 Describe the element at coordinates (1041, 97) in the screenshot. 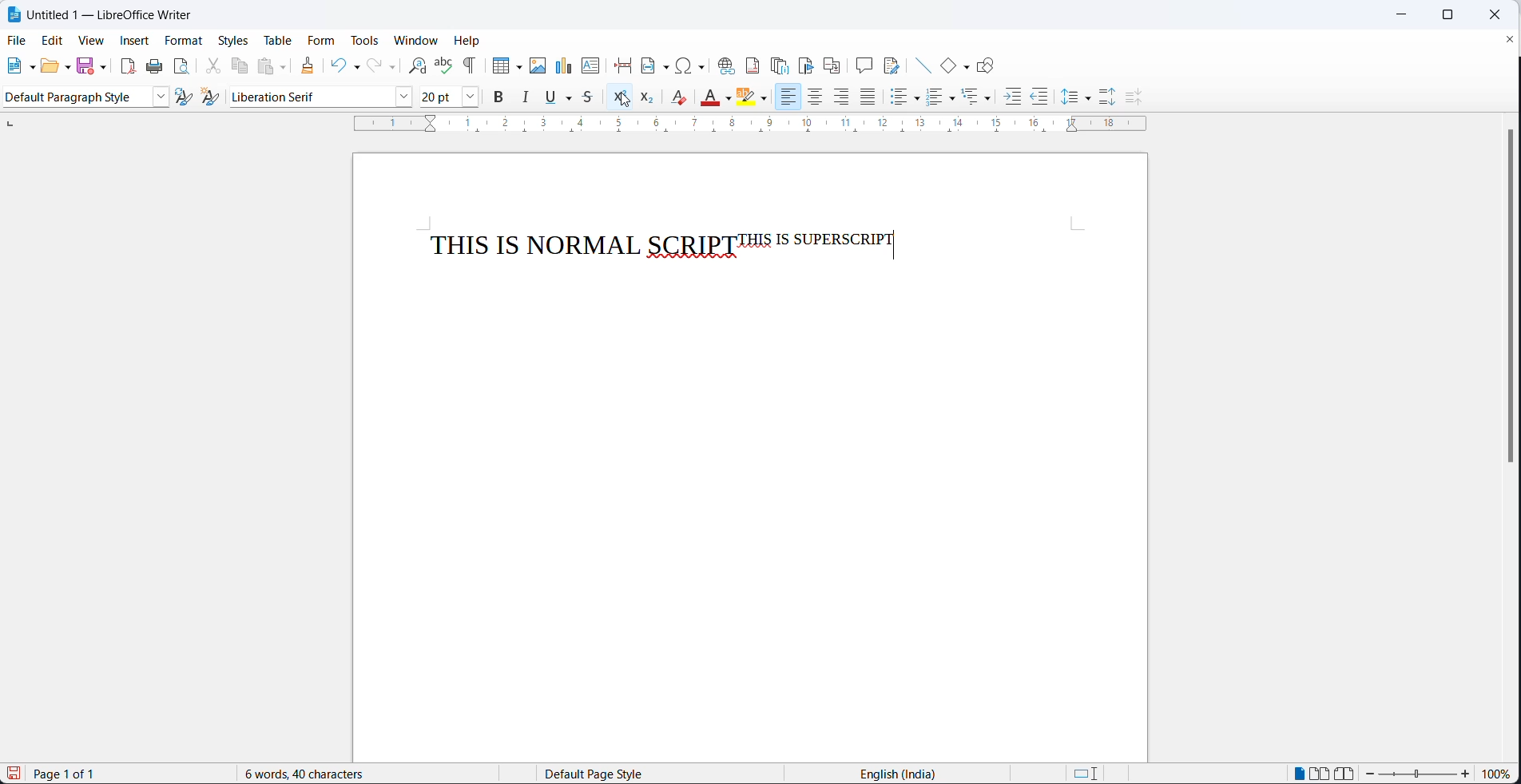

I see `decrease indent` at that location.